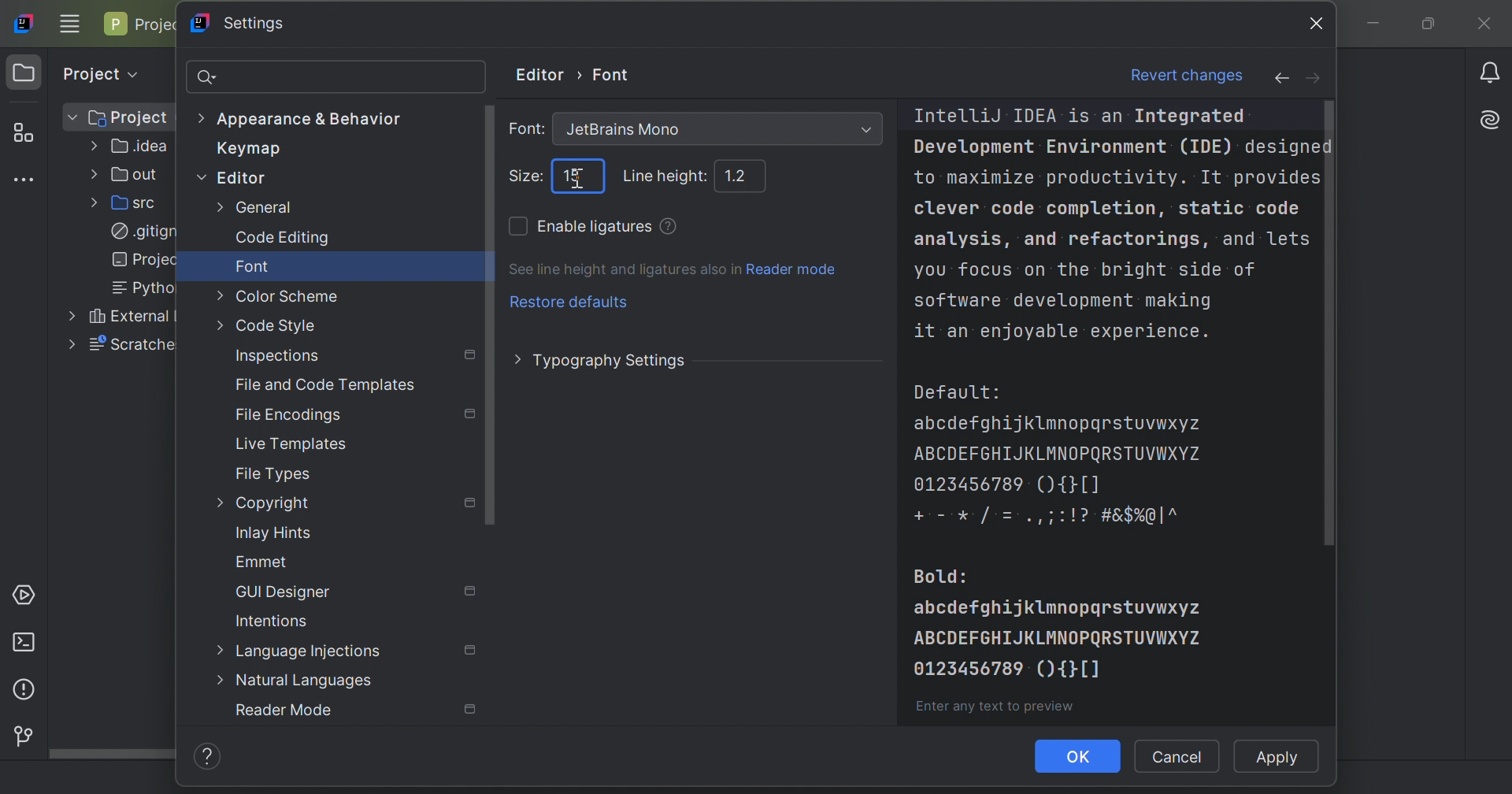 The width and height of the screenshot is (1512, 794). Describe the element at coordinates (491, 314) in the screenshot. I see `Scroll bar` at that location.